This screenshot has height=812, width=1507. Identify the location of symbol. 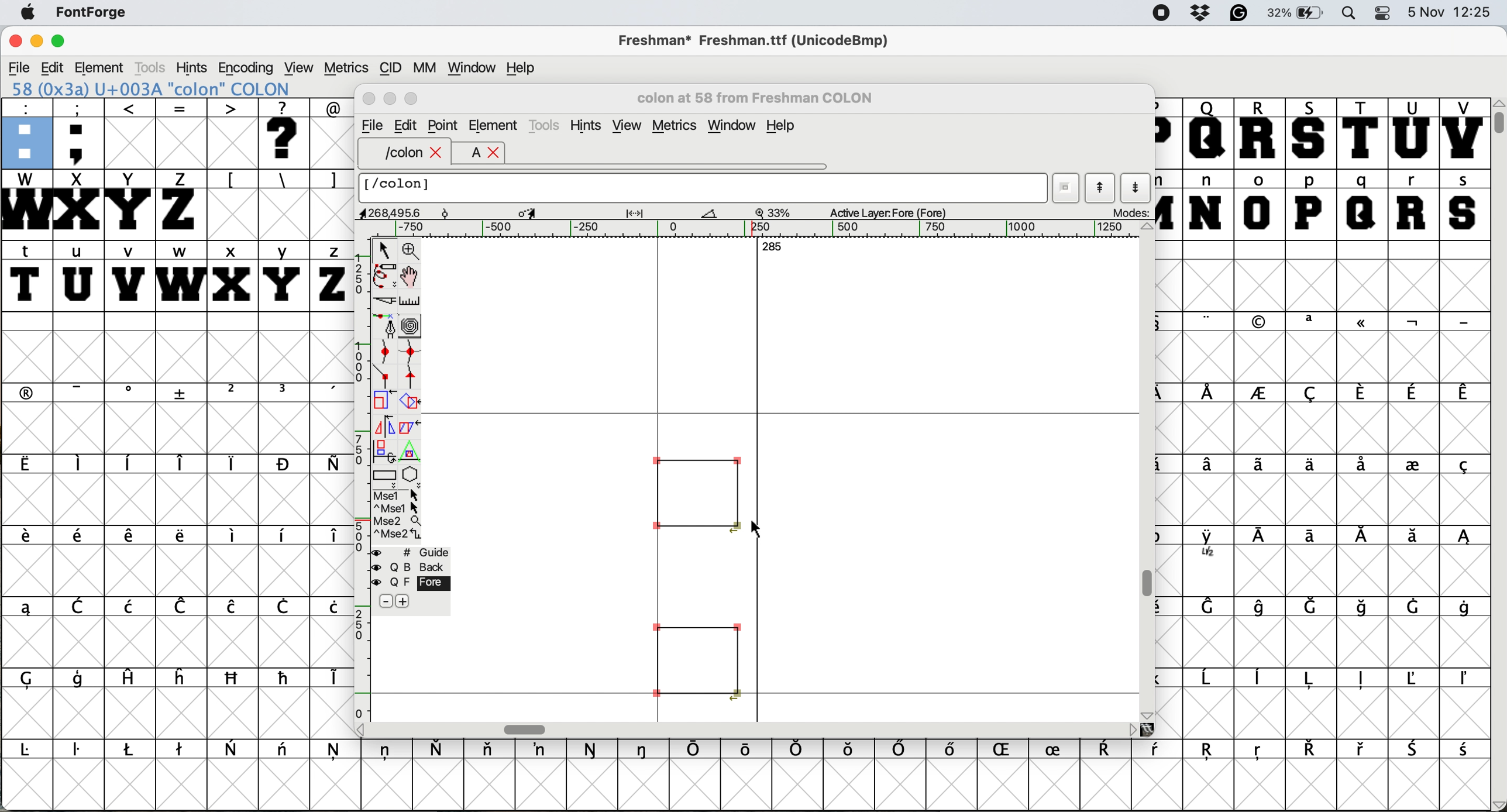
(1463, 539).